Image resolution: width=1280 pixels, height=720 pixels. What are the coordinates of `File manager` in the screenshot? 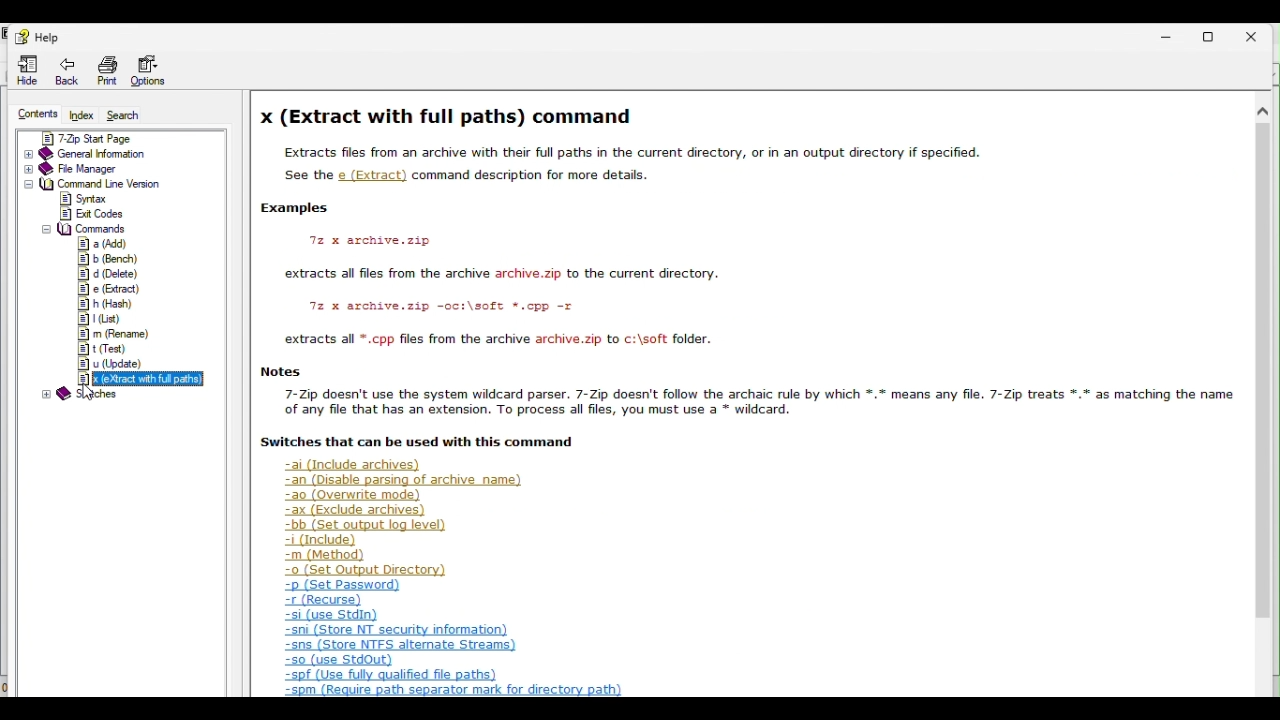 It's located at (83, 170).